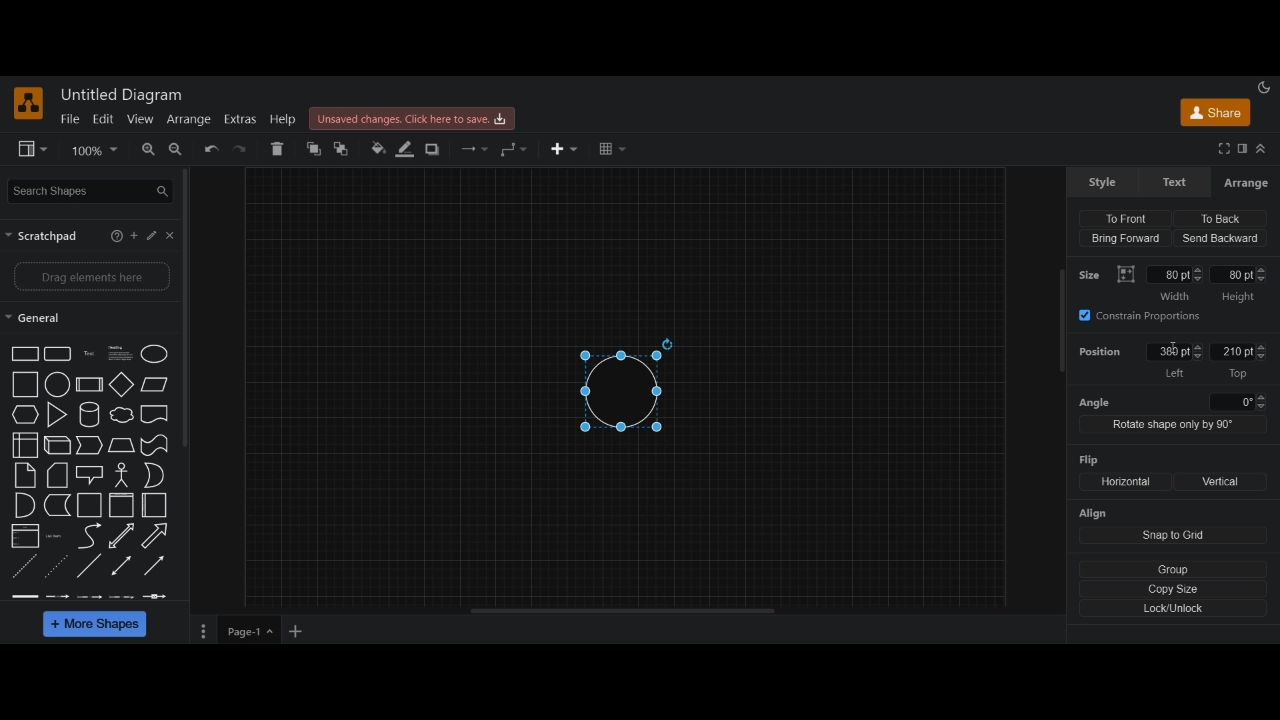 This screenshot has width=1280, height=720. What do you see at coordinates (1061, 323) in the screenshot?
I see `vertical scrollbar` at bounding box center [1061, 323].